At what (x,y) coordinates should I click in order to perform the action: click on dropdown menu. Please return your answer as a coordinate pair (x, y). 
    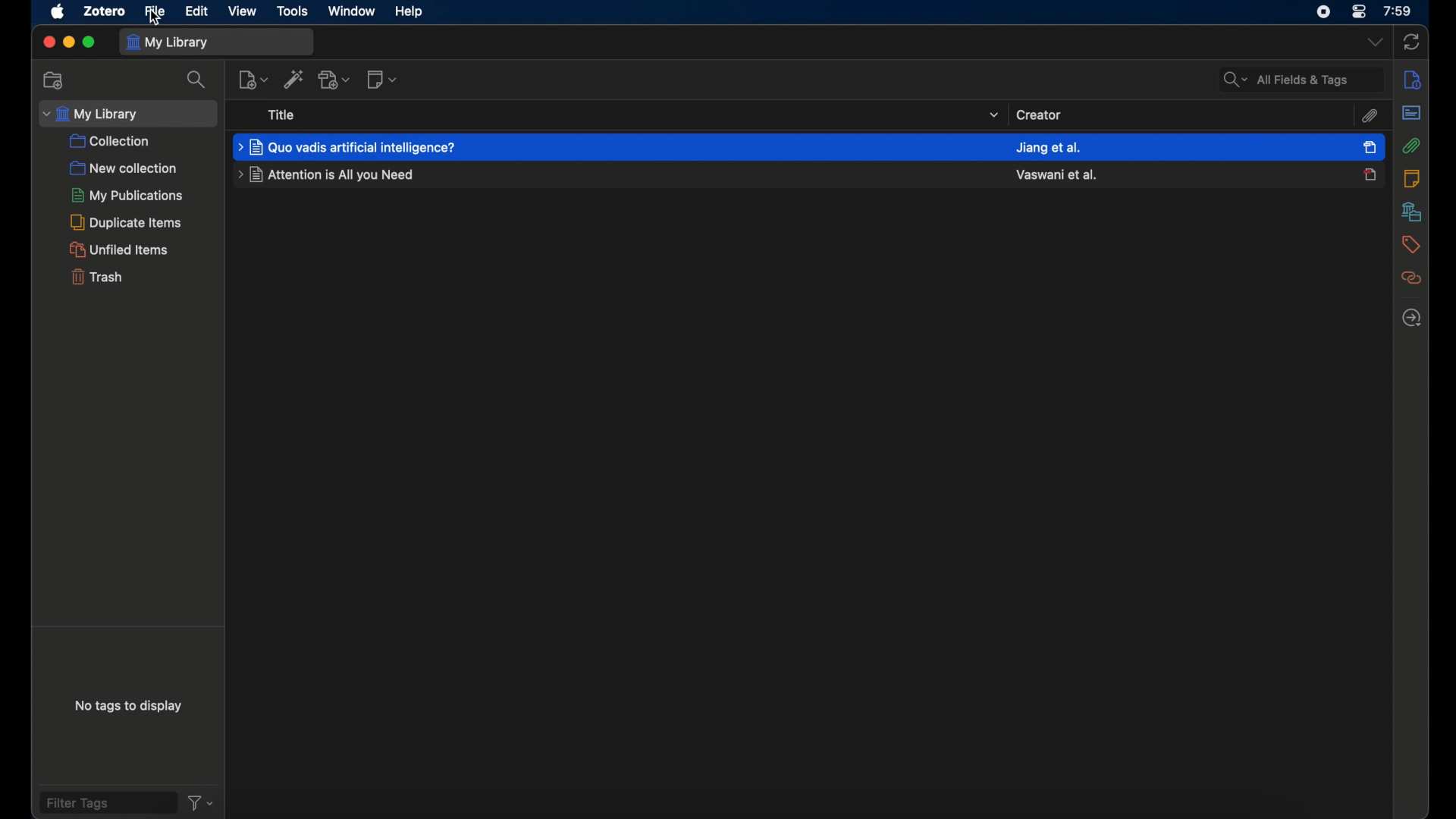
    Looking at the image, I should click on (1373, 42).